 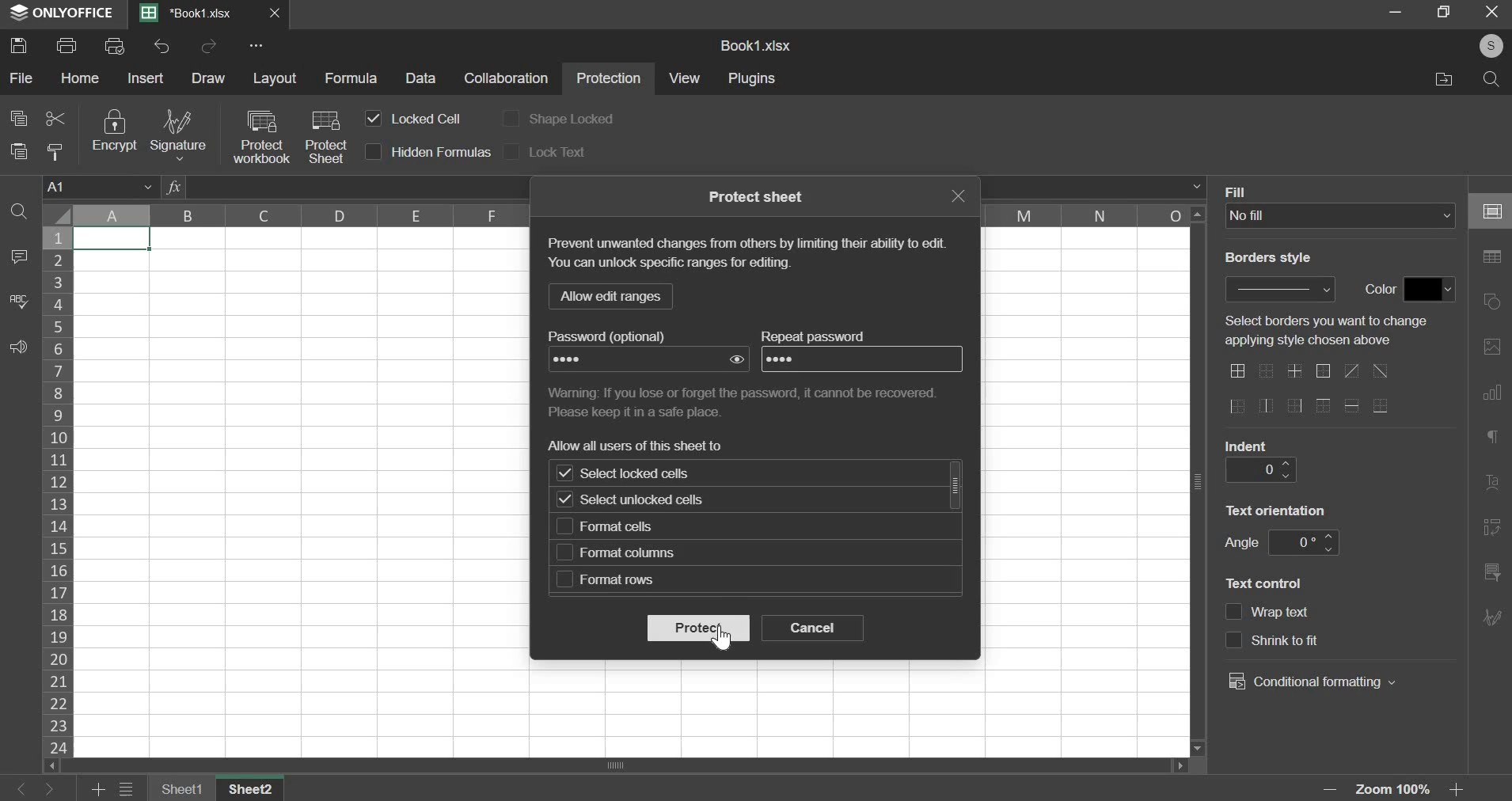 I want to click on redo, so click(x=209, y=47).